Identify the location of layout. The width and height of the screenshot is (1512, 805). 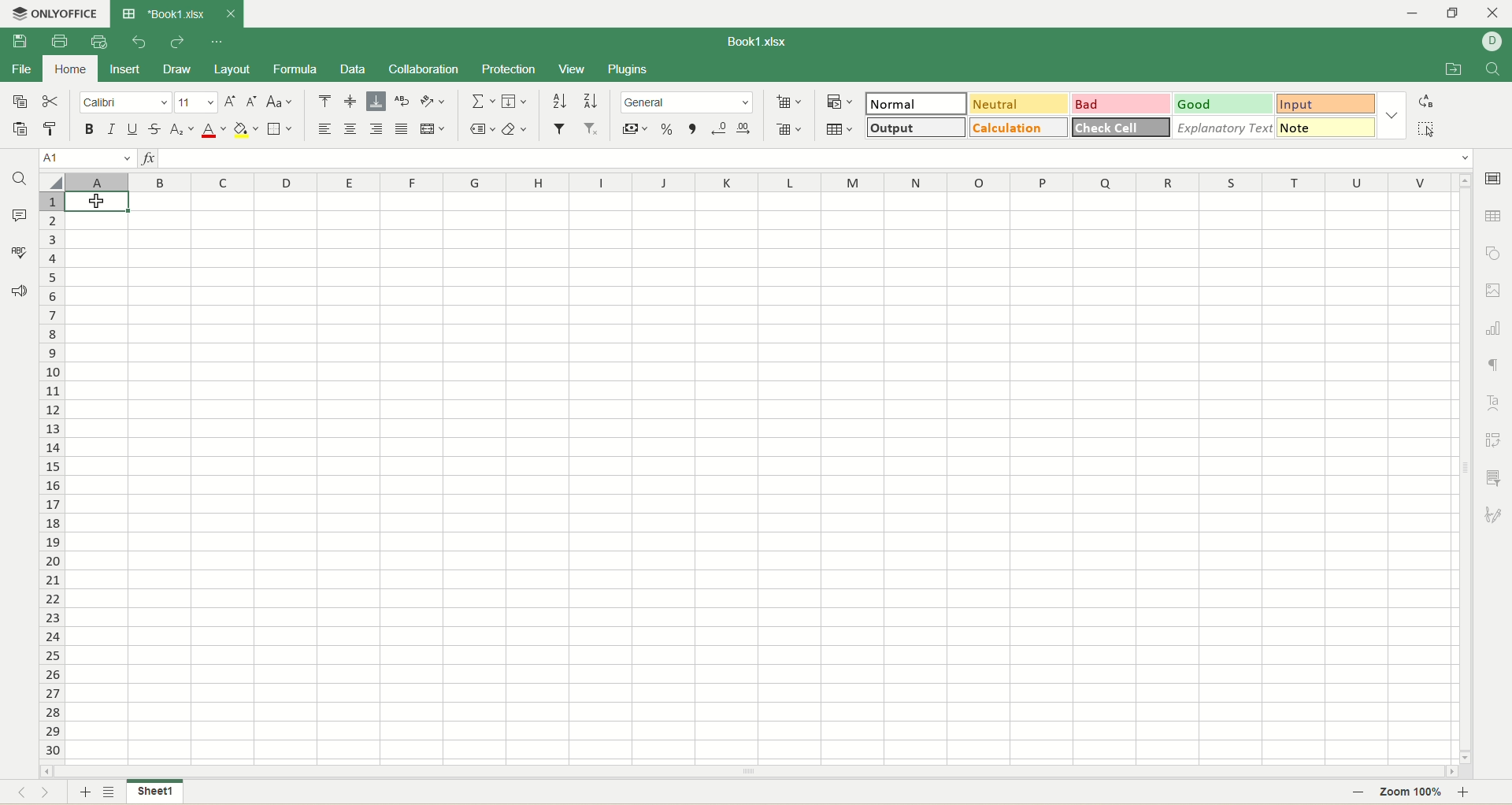
(232, 68).